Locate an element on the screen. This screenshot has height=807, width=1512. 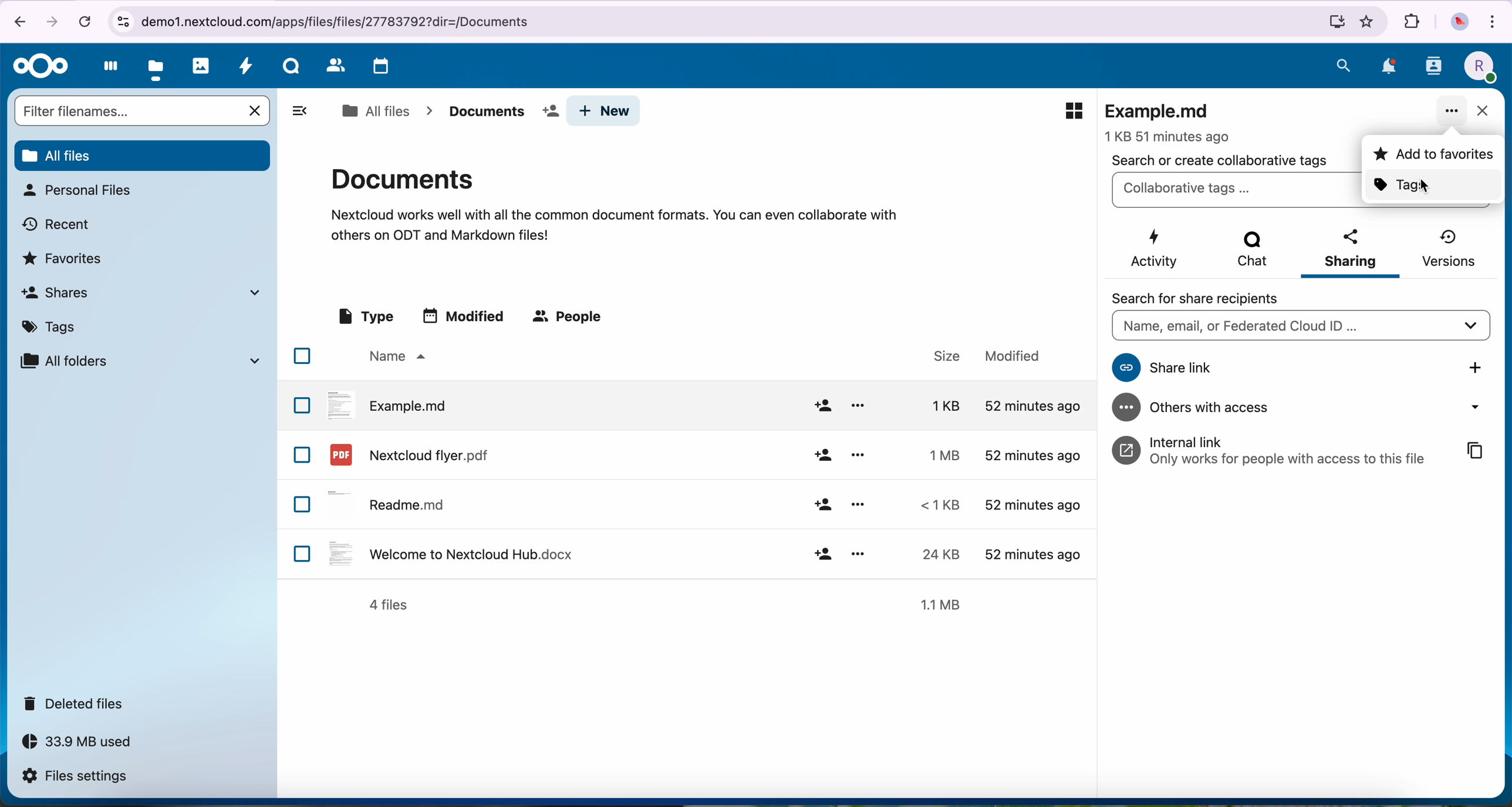
all files is located at coordinates (375, 111).